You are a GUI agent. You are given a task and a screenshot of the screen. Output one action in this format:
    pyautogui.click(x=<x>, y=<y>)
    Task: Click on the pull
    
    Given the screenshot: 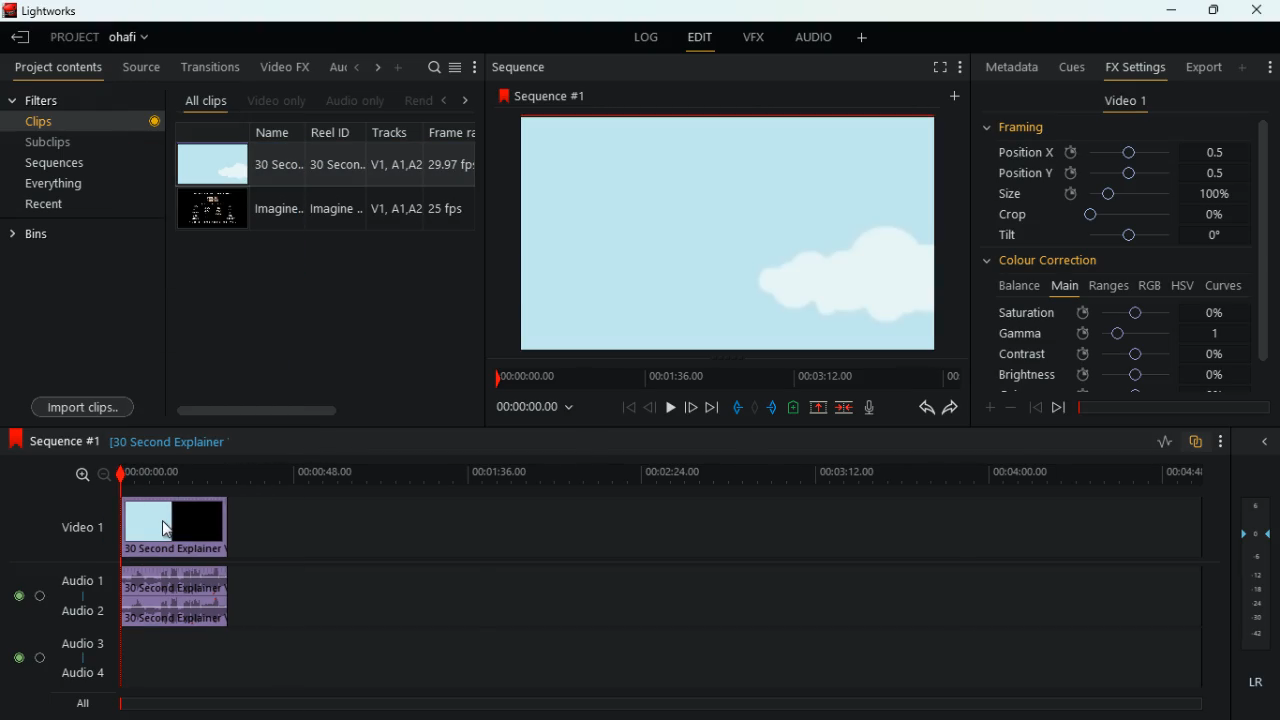 What is the action you would take?
    pyautogui.click(x=736, y=406)
    